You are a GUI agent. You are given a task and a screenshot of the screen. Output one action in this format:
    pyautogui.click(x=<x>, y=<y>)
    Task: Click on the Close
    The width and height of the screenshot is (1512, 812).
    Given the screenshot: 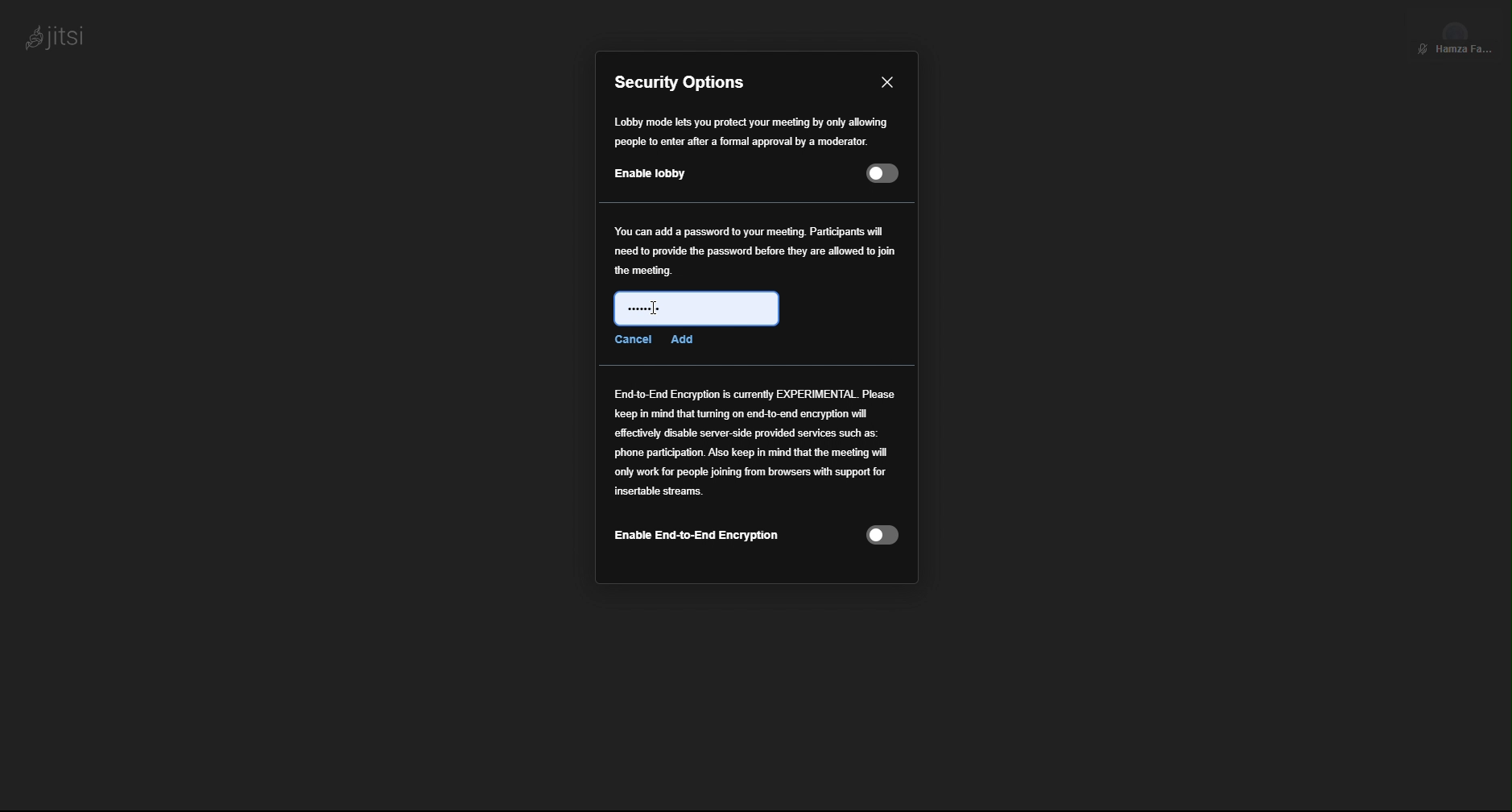 What is the action you would take?
    pyautogui.click(x=890, y=84)
    